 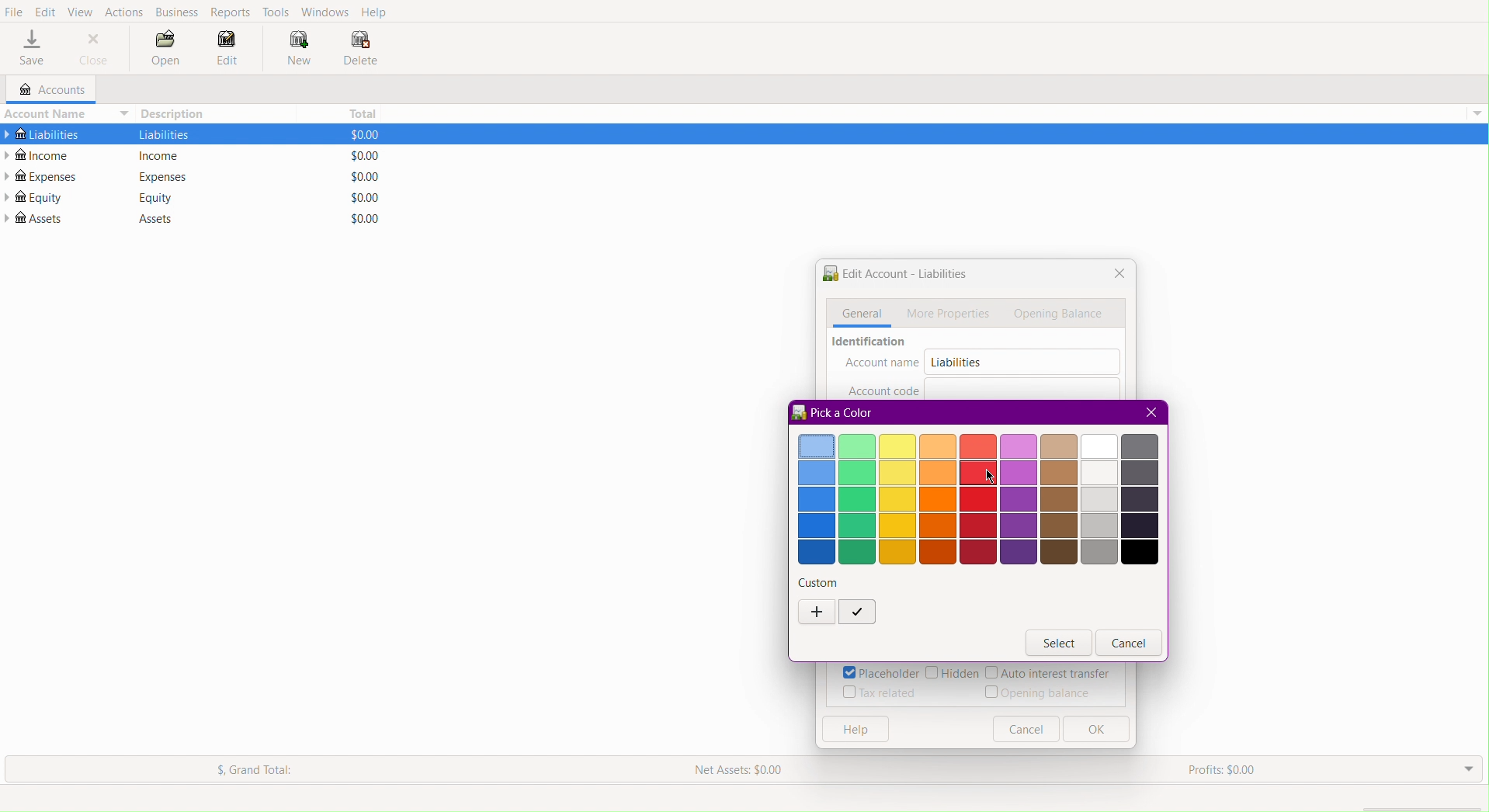 I want to click on Add, so click(x=817, y=613).